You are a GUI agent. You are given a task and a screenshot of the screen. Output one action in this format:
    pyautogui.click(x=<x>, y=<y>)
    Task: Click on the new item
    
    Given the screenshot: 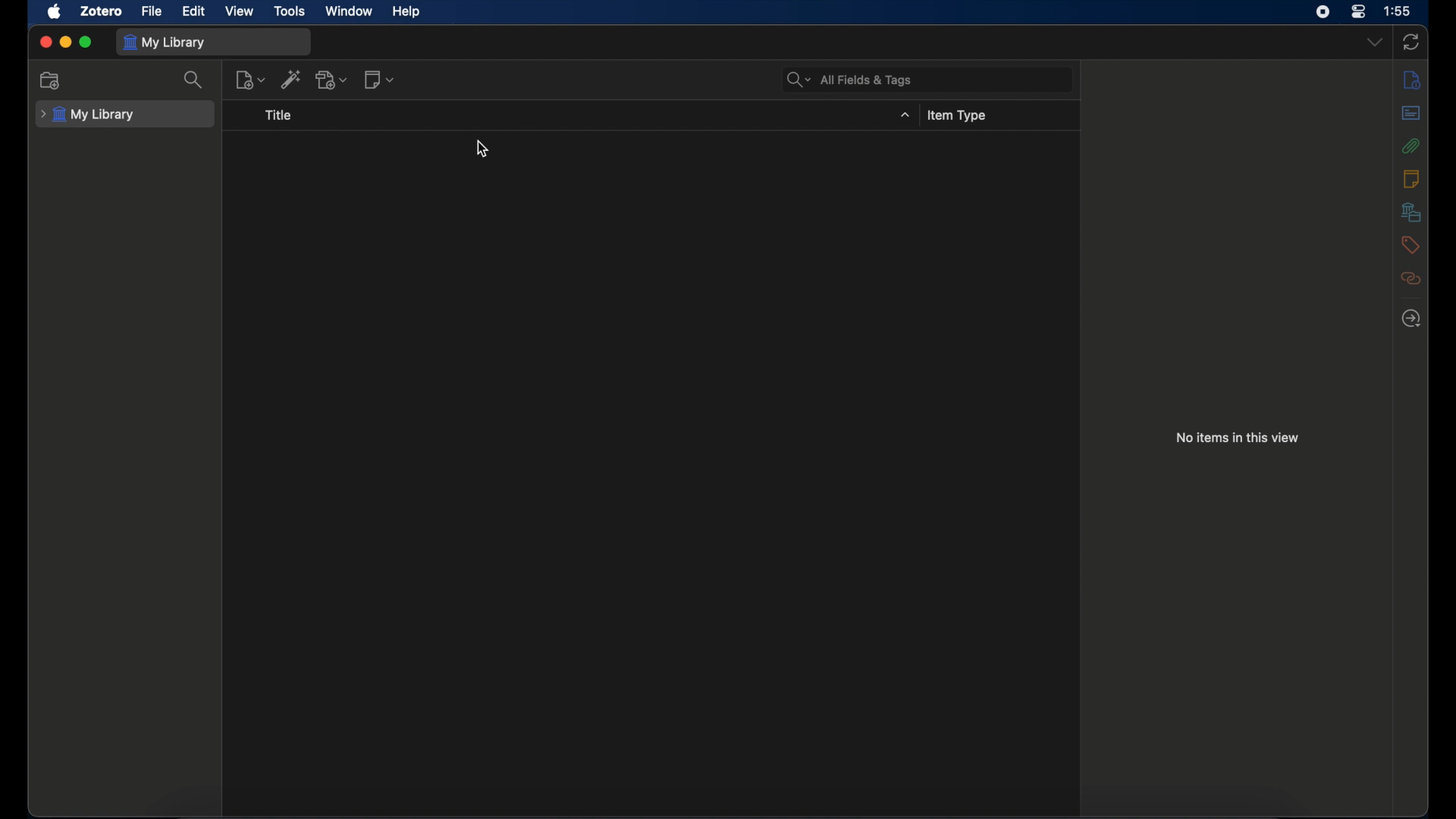 What is the action you would take?
    pyautogui.click(x=249, y=79)
    